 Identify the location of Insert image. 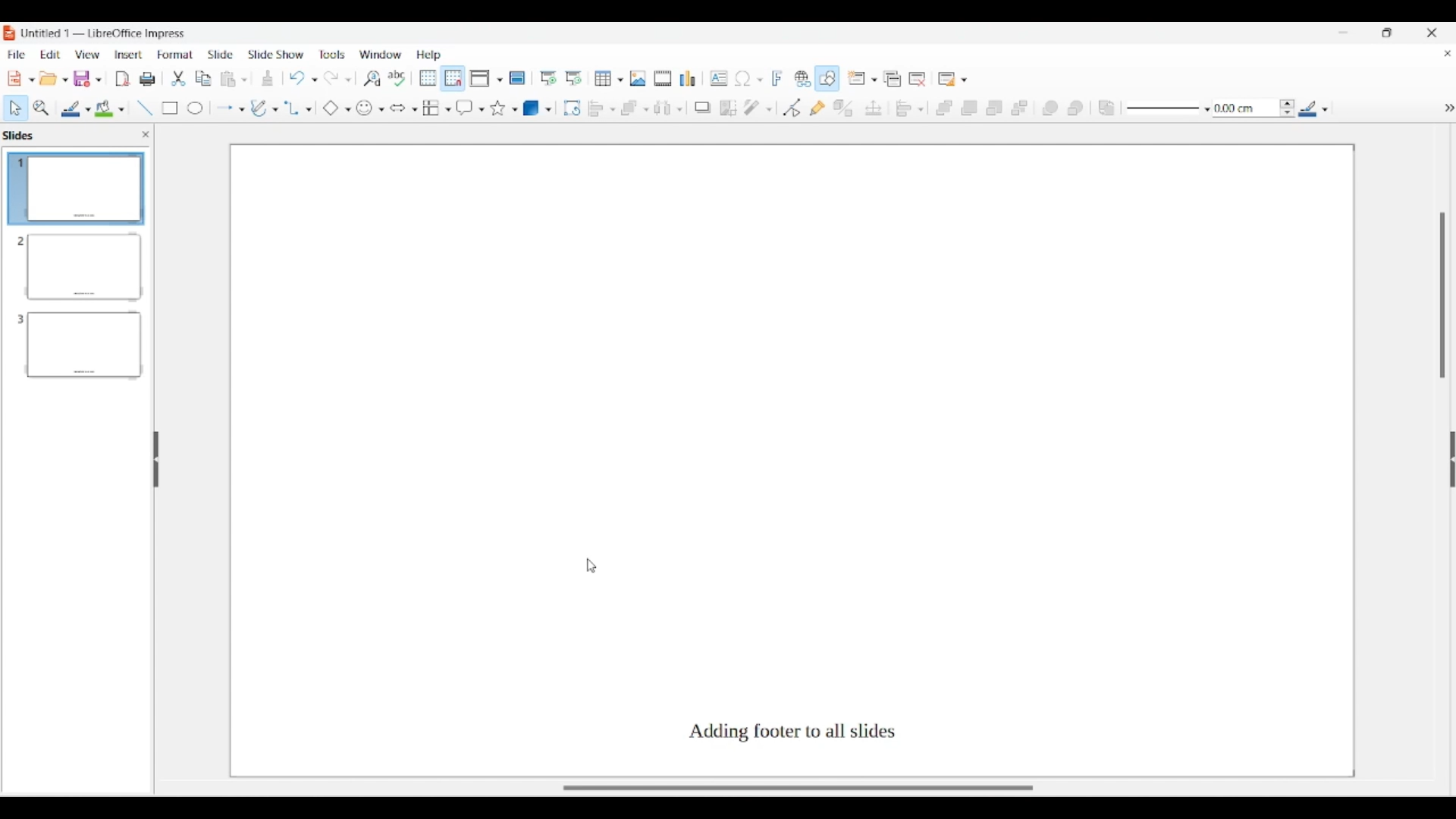
(638, 78).